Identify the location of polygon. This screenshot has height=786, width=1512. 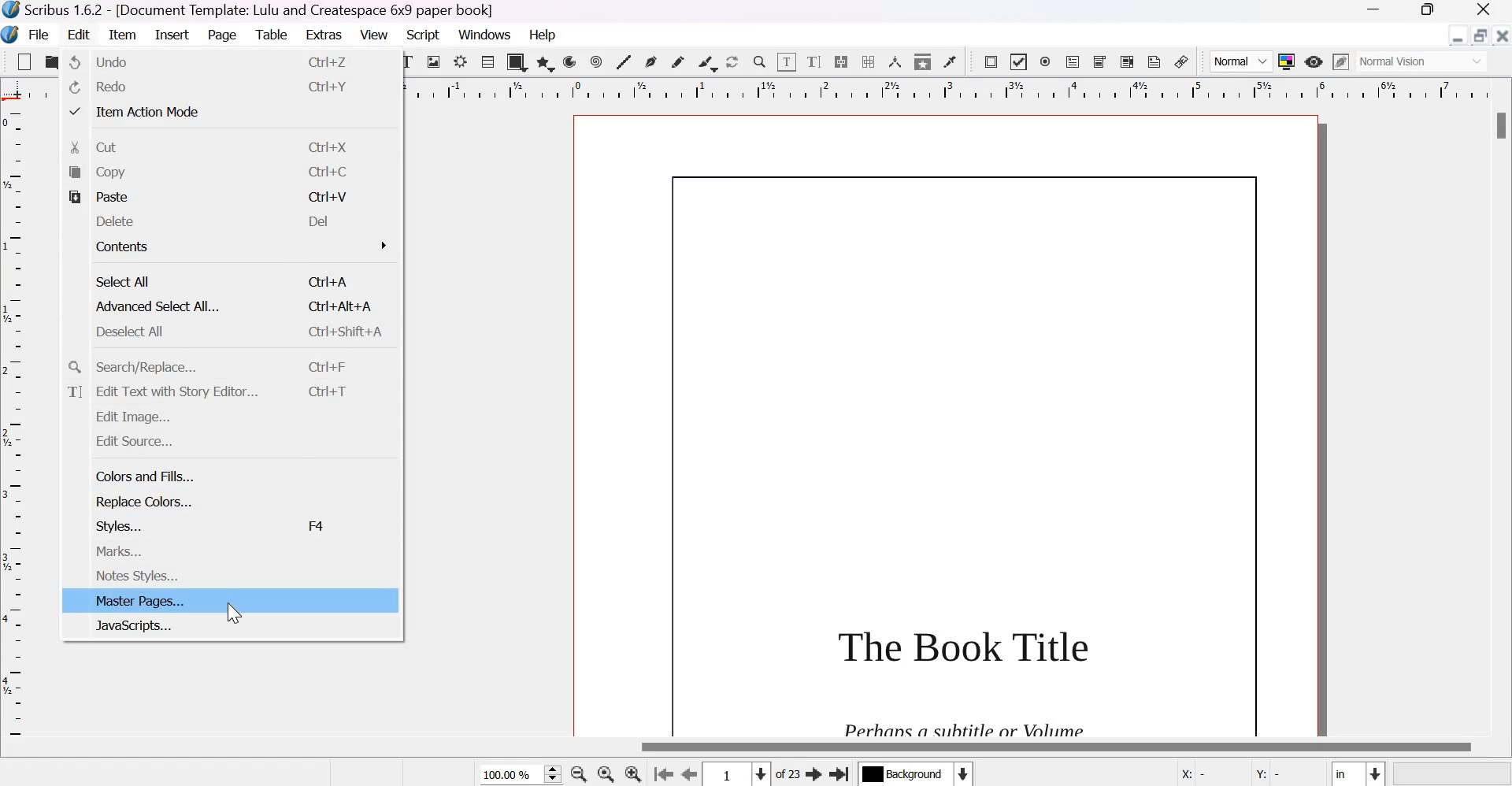
(545, 62).